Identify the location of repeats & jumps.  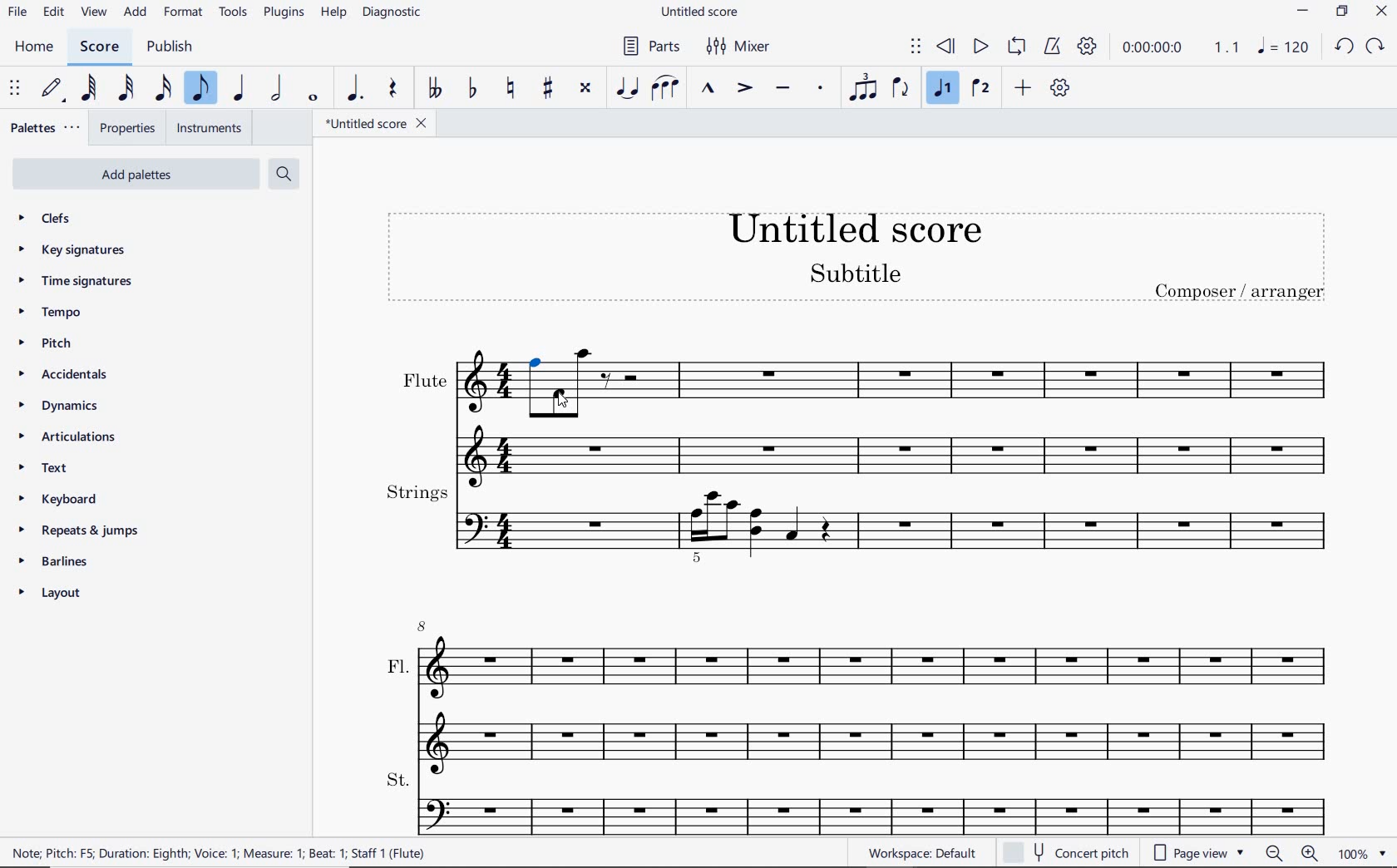
(76, 530).